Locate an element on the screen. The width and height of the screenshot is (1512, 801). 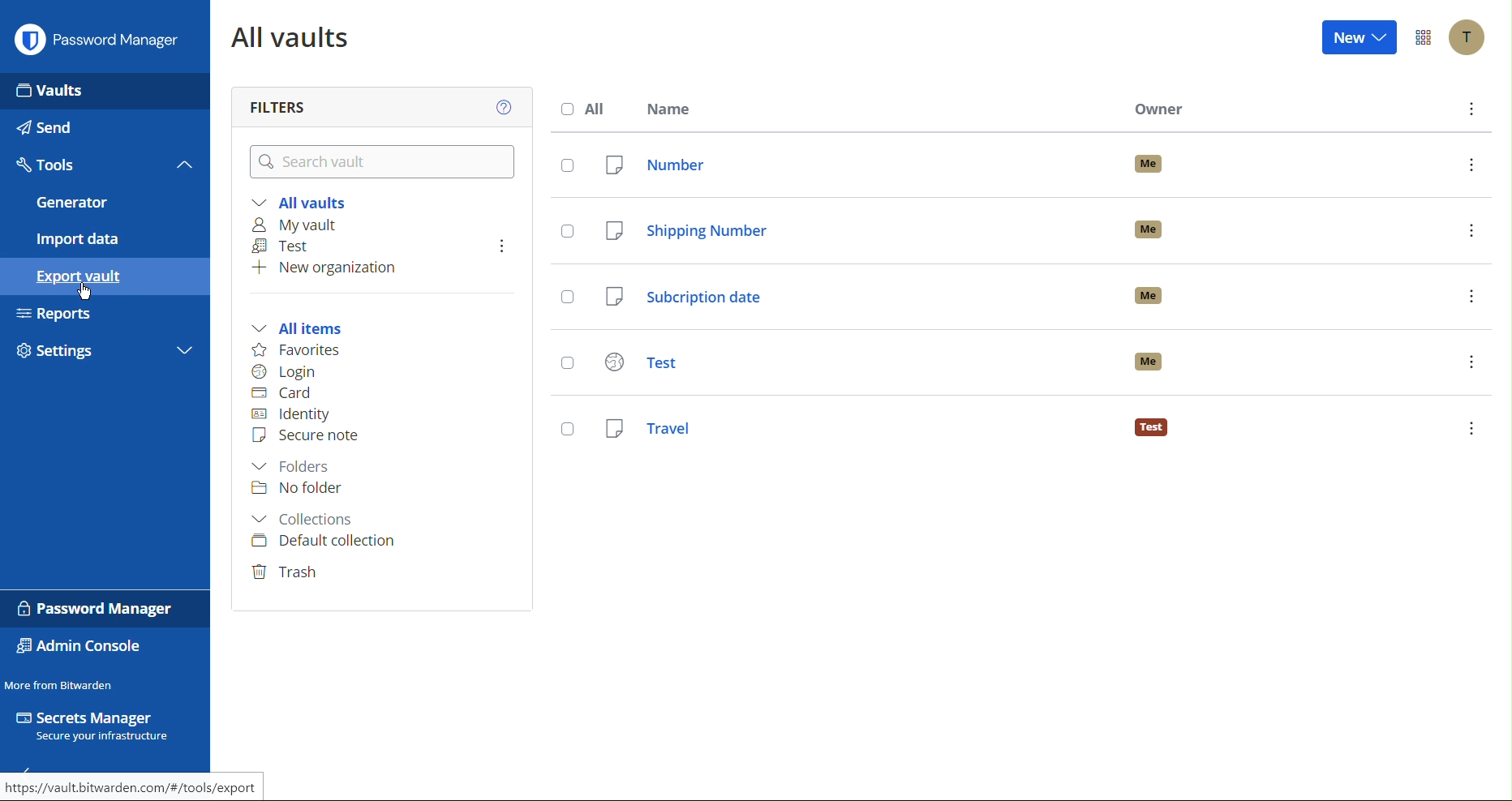
 is located at coordinates (107, 89).